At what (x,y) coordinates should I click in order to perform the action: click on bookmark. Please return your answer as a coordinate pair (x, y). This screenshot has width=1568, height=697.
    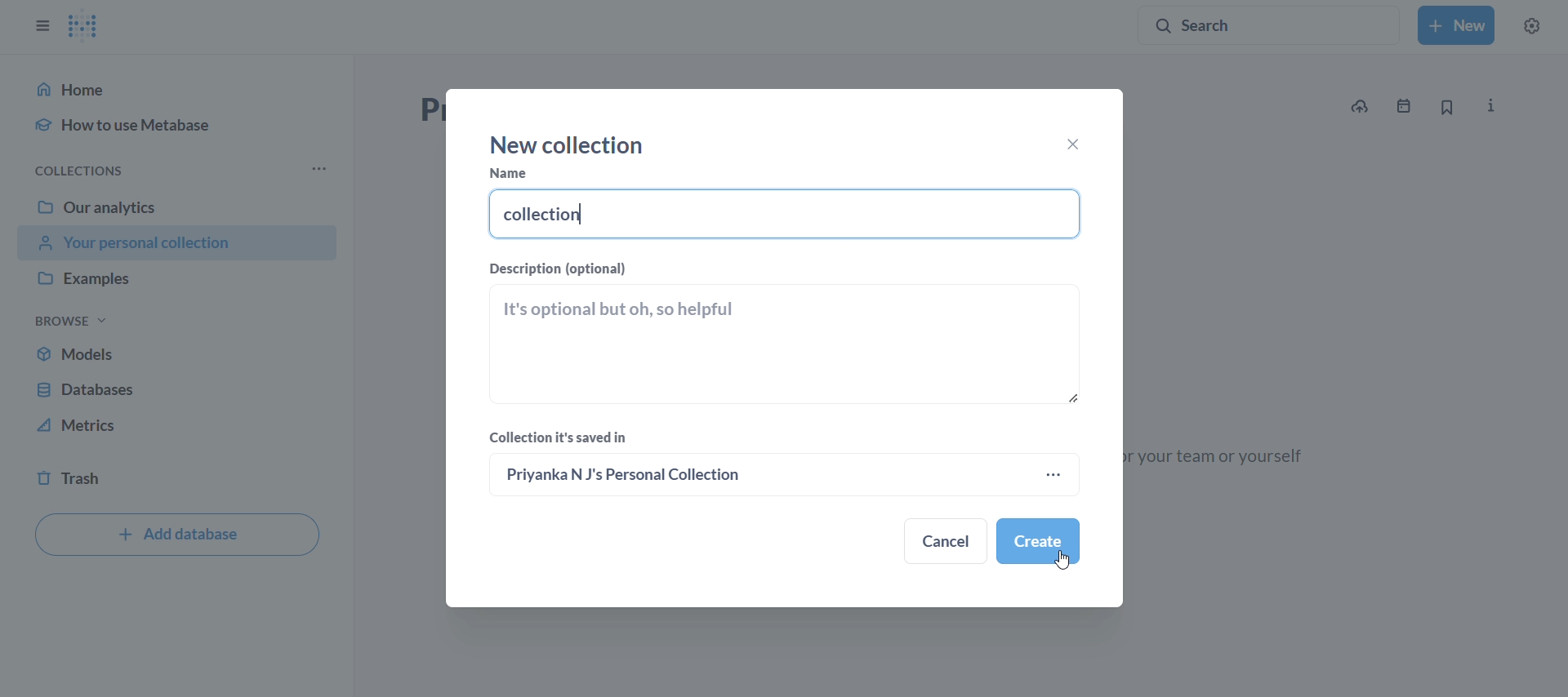
    Looking at the image, I should click on (1448, 109).